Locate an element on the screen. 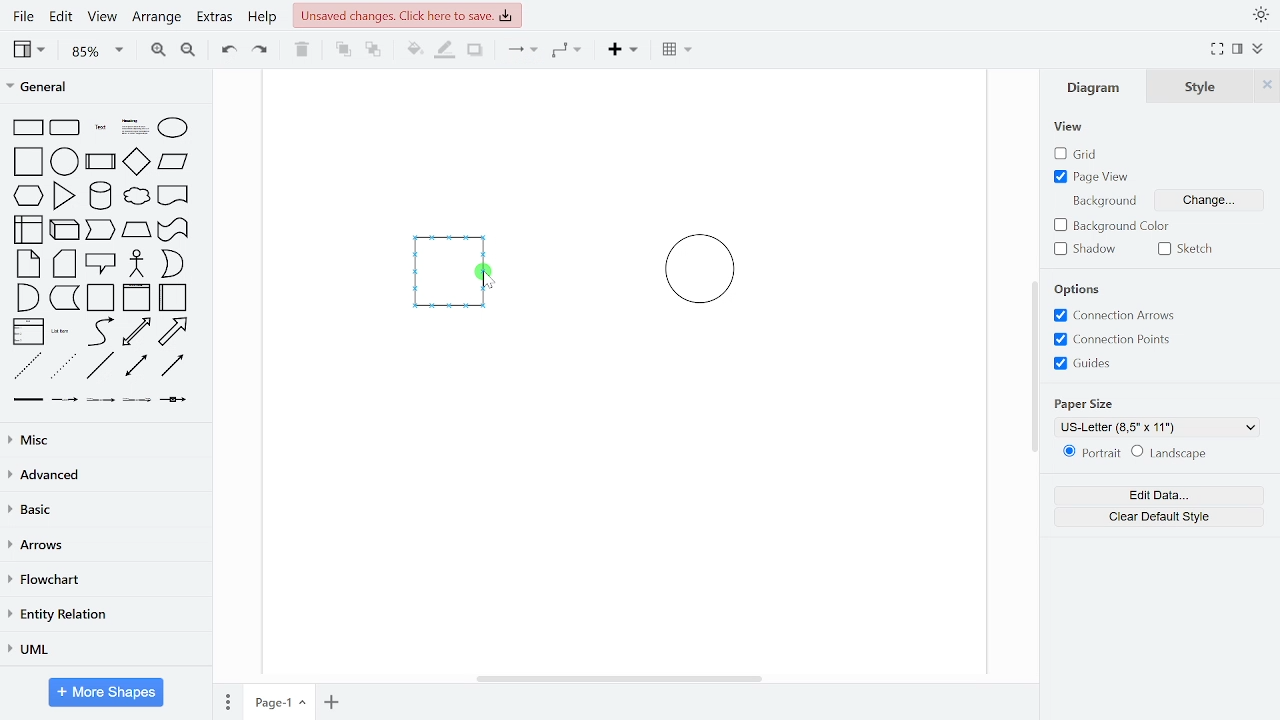  Vertical scrollbar is located at coordinates (1037, 369).